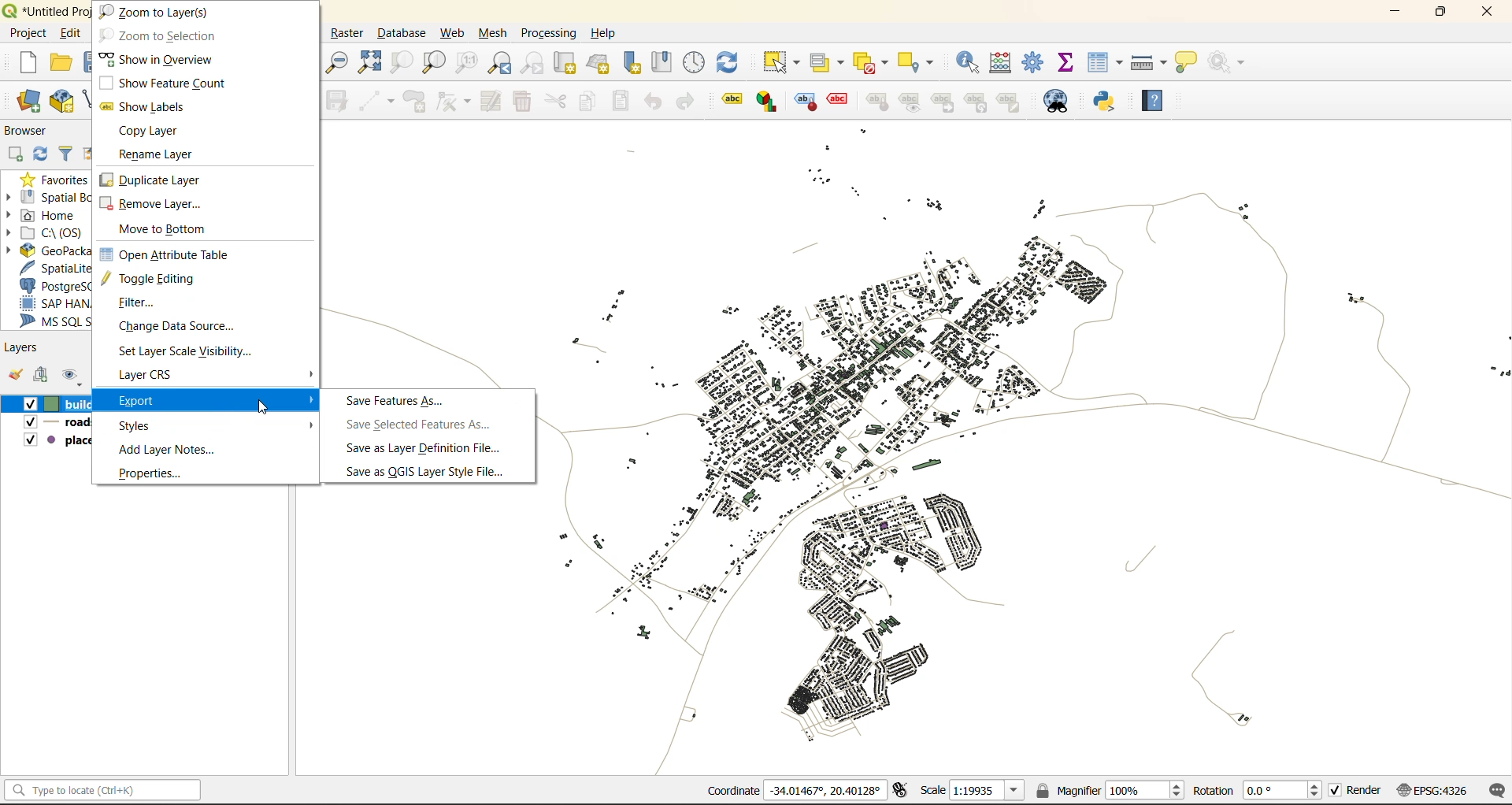 Image resolution: width=1512 pixels, height=805 pixels. I want to click on measure line, so click(1148, 65).